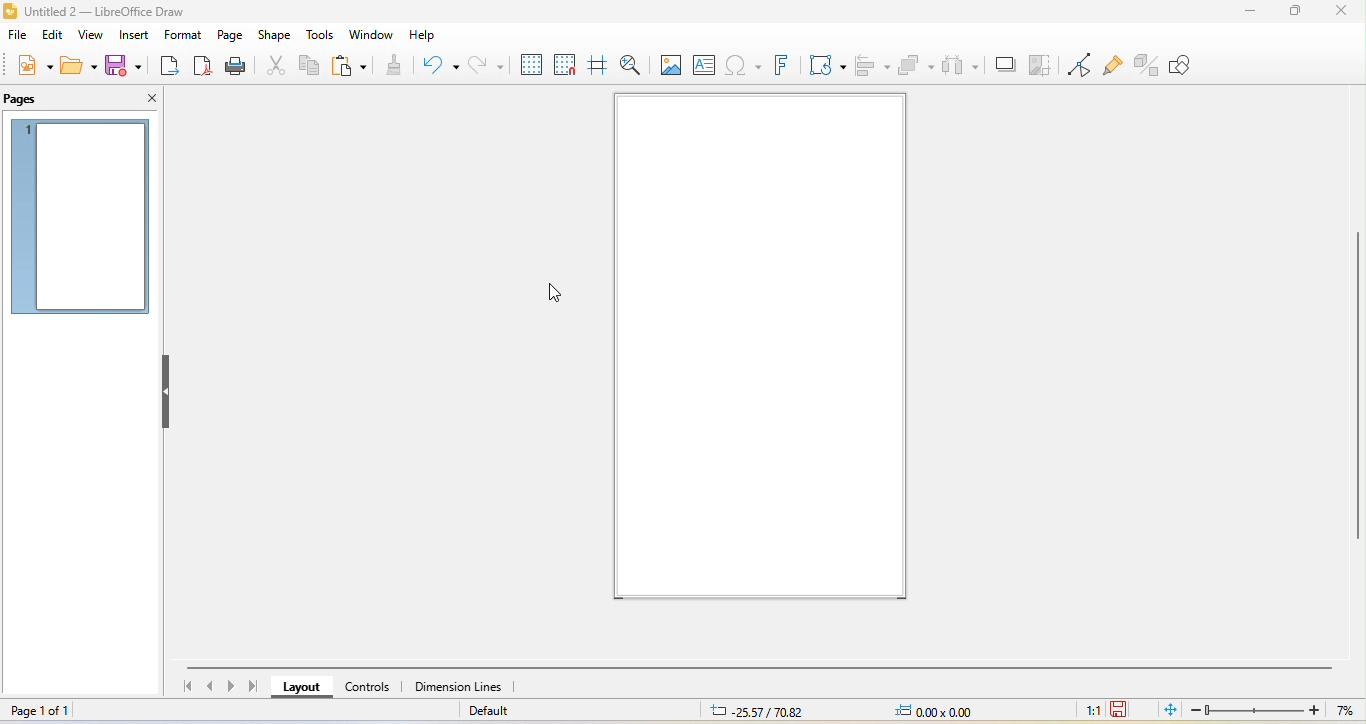 The image size is (1366, 724). Describe the element at coordinates (438, 65) in the screenshot. I see `undo` at that location.